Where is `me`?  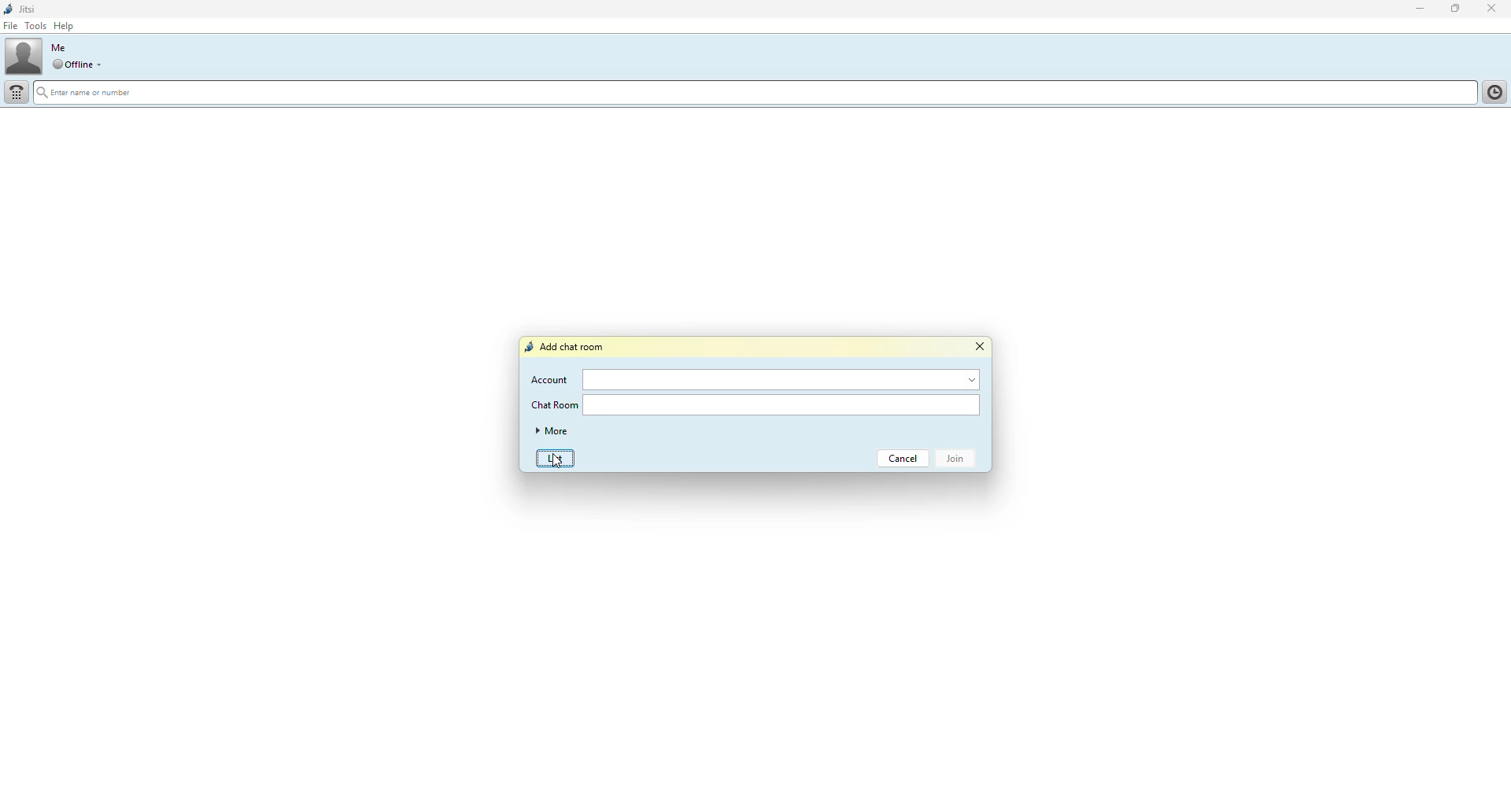
me is located at coordinates (62, 48).